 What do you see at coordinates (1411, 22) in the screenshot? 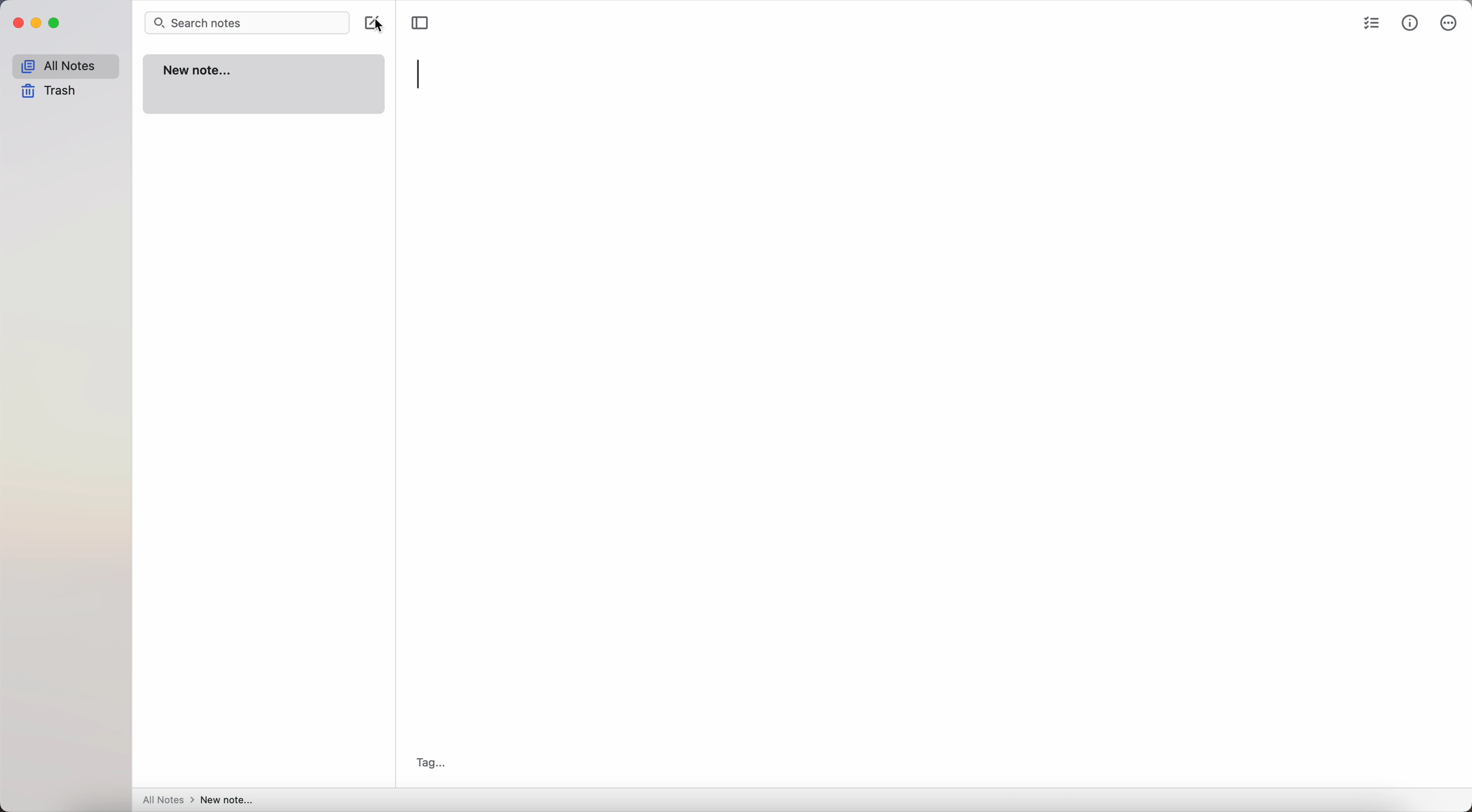
I see `metrics` at bounding box center [1411, 22].